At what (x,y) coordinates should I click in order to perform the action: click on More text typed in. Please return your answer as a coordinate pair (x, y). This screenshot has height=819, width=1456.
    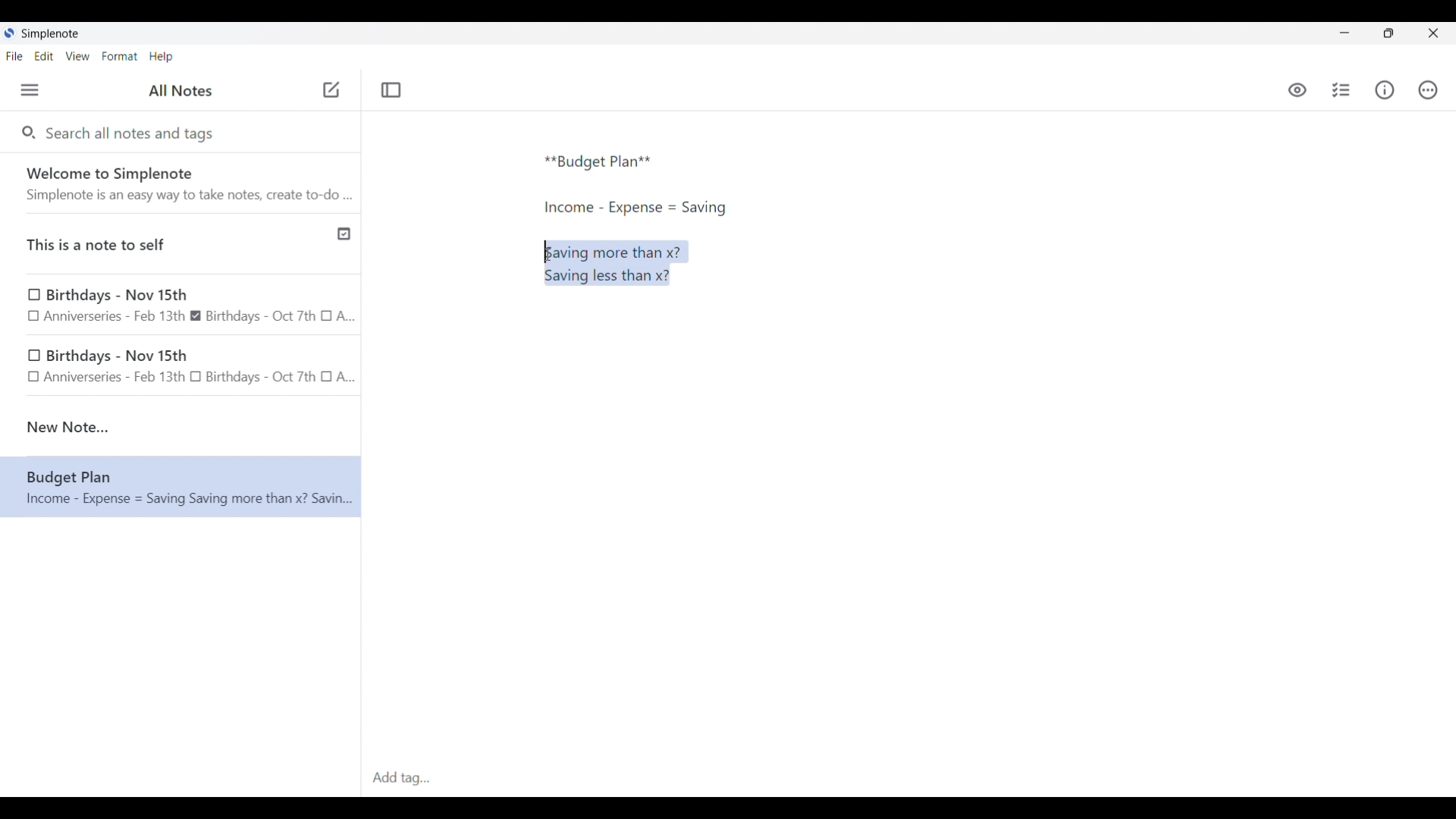
    Looking at the image, I should click on (634, 208).